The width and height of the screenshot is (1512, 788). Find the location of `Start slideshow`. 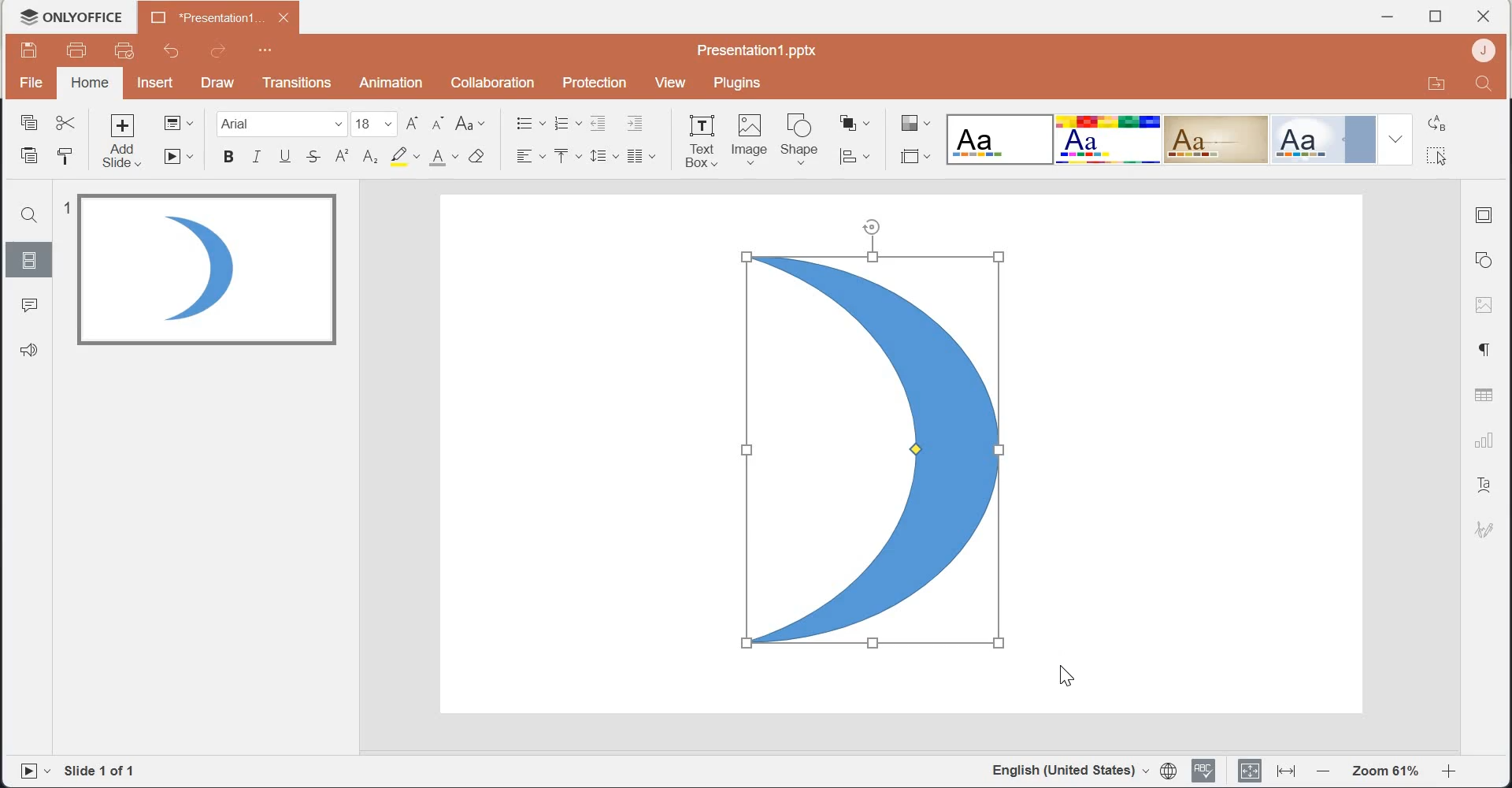

Start slideshow is located at coordinates (180, 157).